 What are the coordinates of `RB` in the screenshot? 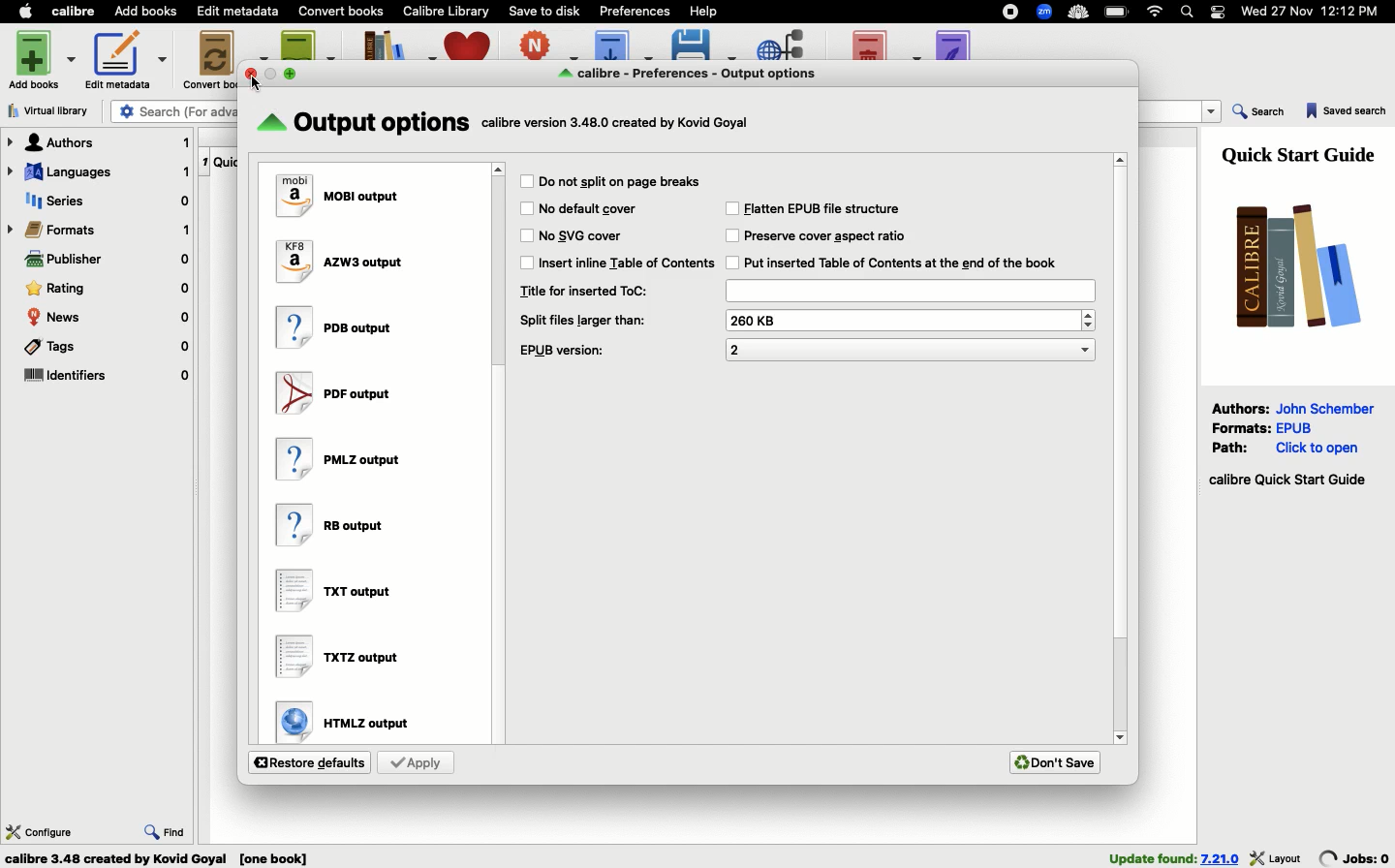 It's located at (344, 523).